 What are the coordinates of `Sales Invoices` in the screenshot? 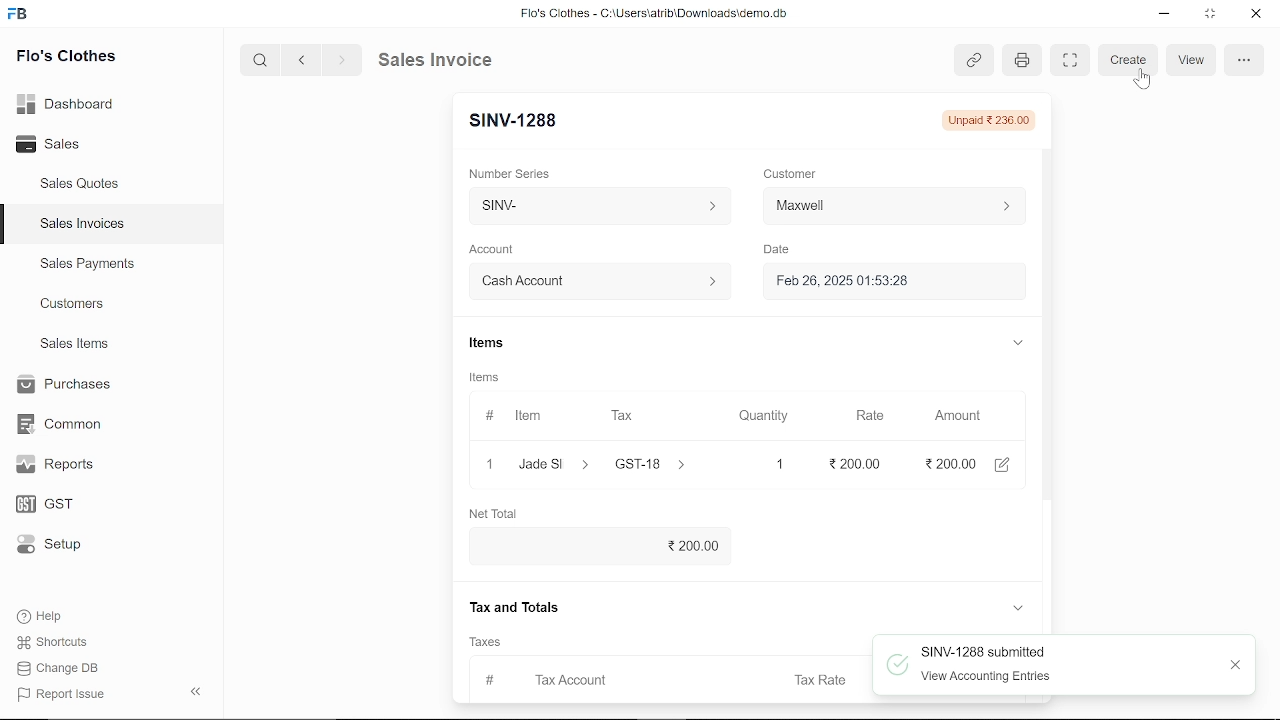 It's located at (89, 226).